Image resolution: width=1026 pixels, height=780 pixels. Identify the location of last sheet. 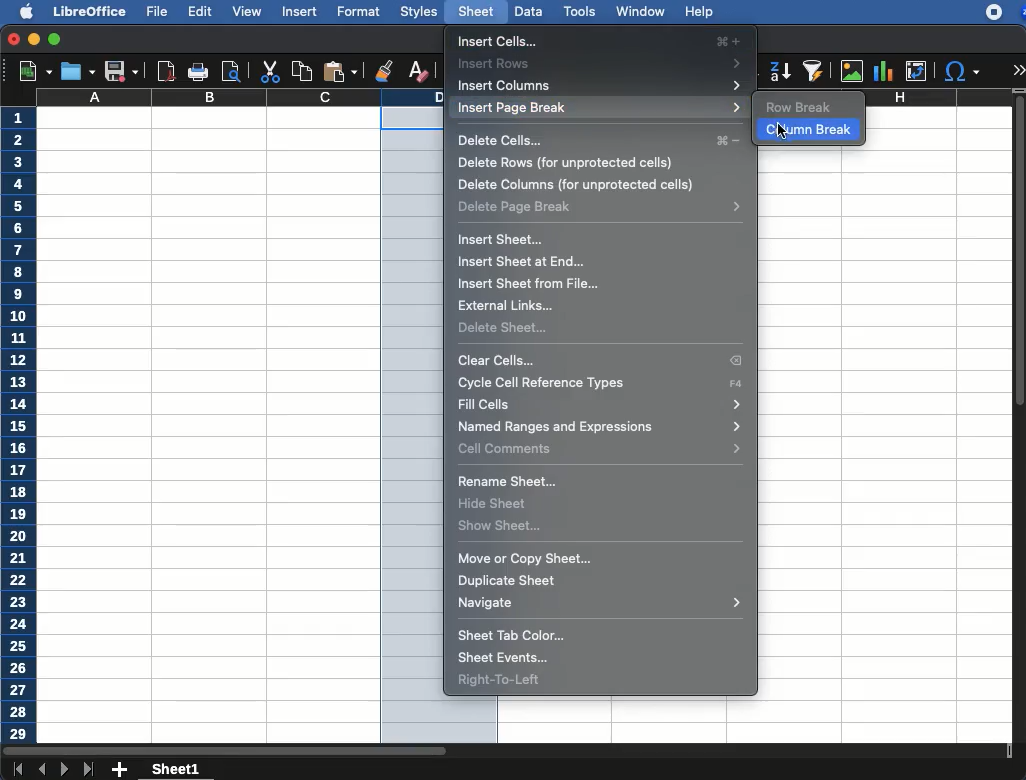
(90, 770).